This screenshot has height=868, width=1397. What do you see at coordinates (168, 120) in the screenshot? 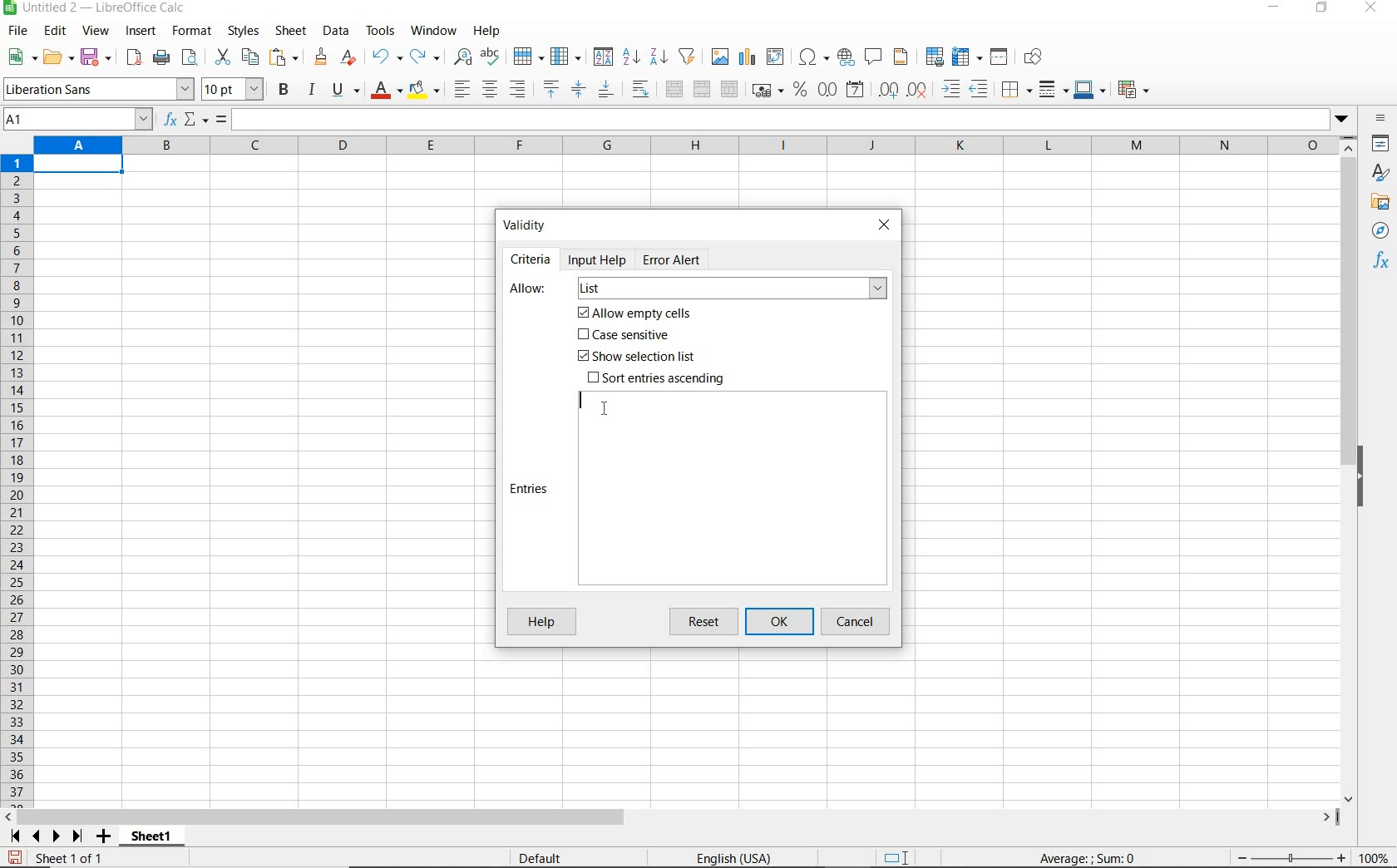
I see `function wizard` at bounding box center [168, 120].